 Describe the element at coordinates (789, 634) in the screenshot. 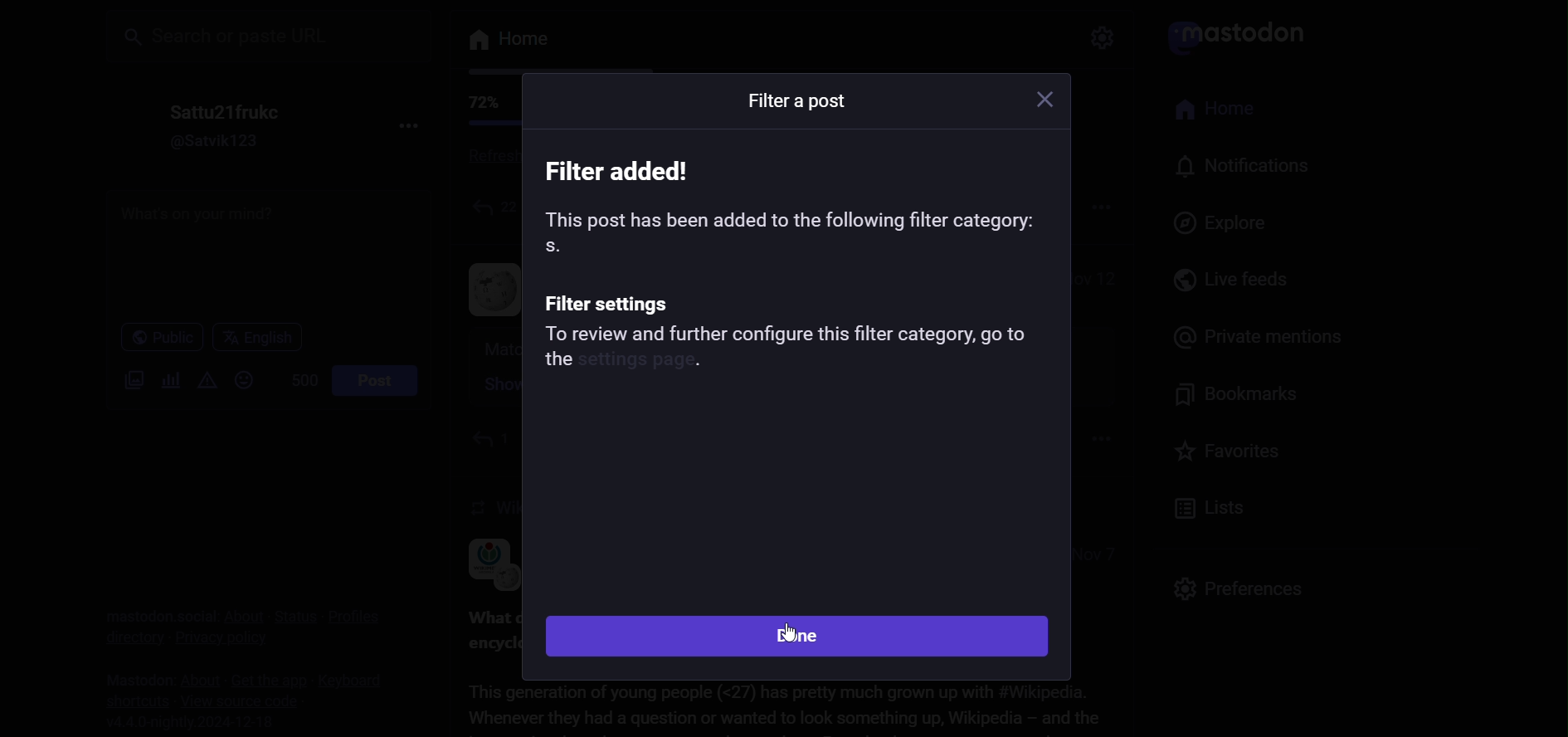

I see `cursor` at that location.